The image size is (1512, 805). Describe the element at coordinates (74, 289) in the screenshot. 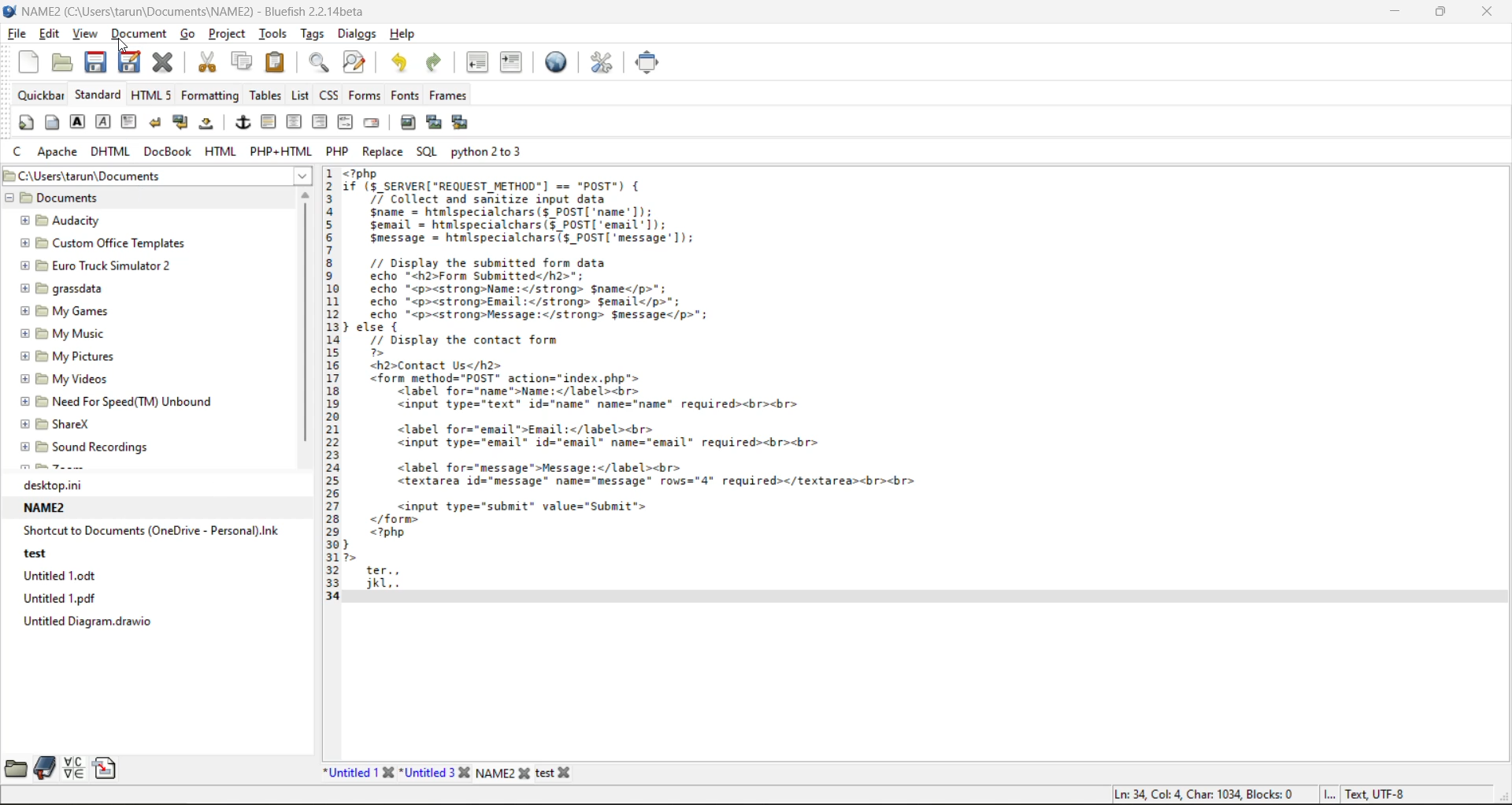

I see `grassdata` at that location.